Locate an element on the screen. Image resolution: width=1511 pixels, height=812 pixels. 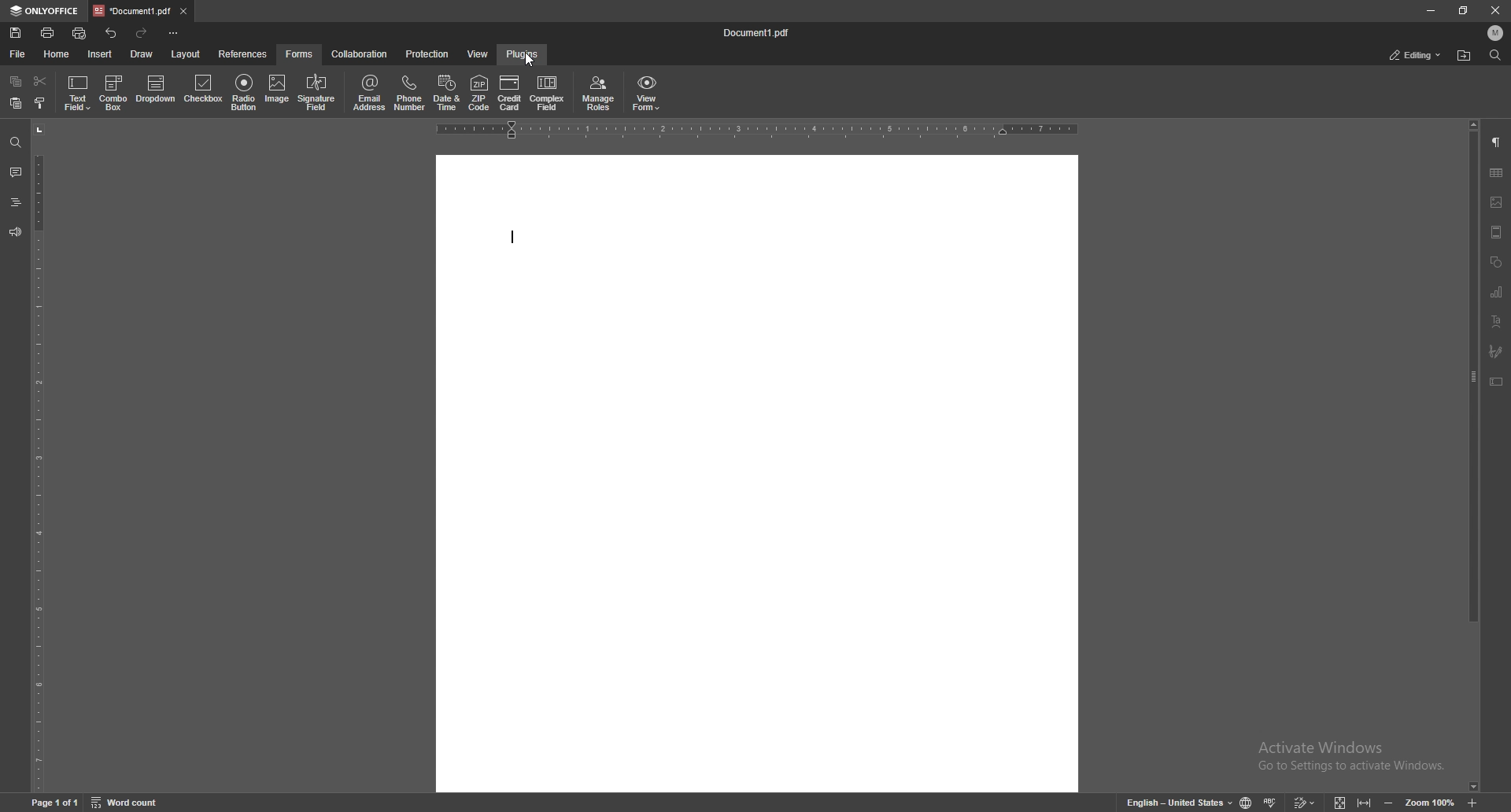
complex field is located at coordinates (549, 94).